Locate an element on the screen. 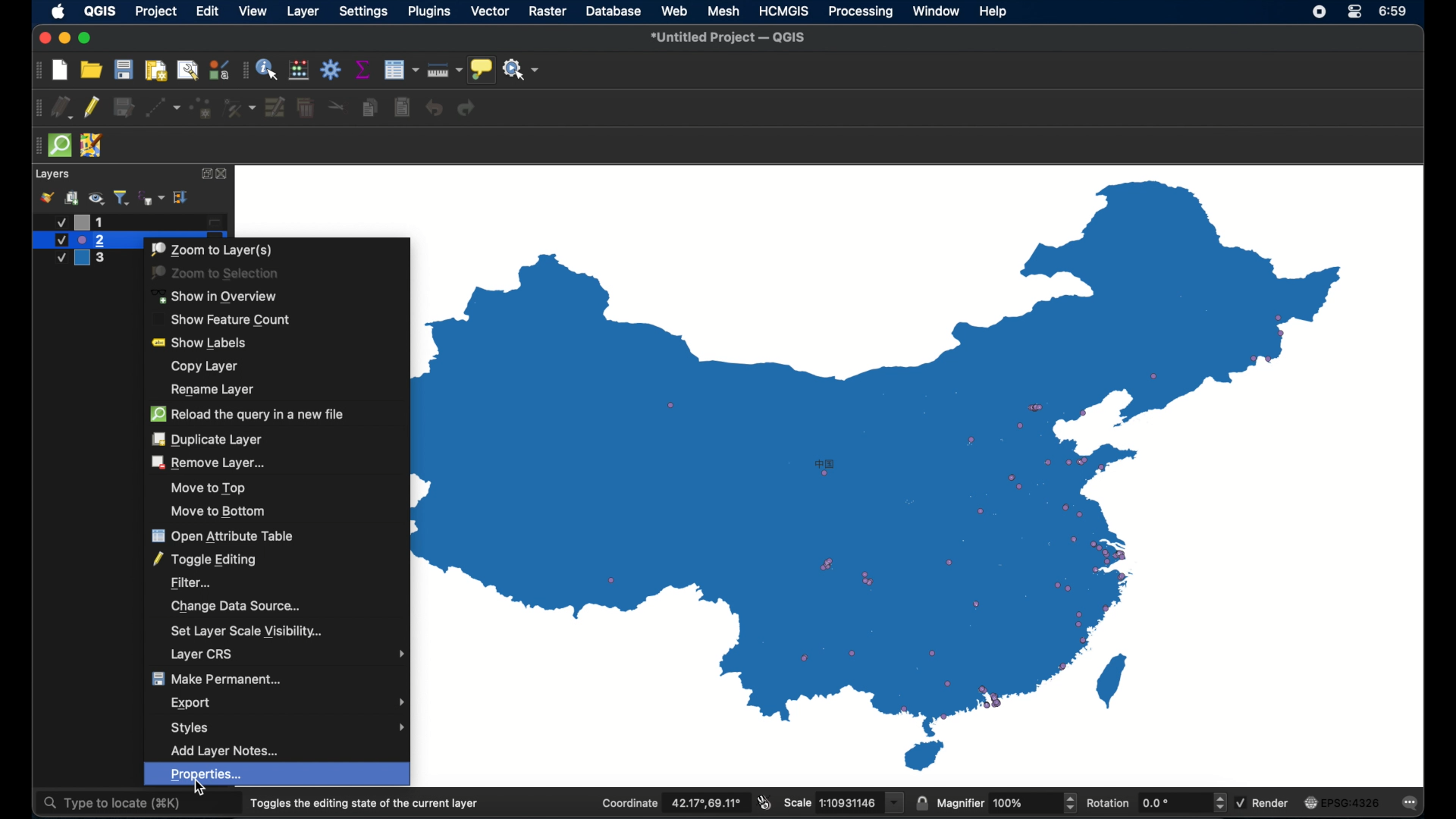  toggles the  dining state of the current layer is located at coordinates (365, 803).